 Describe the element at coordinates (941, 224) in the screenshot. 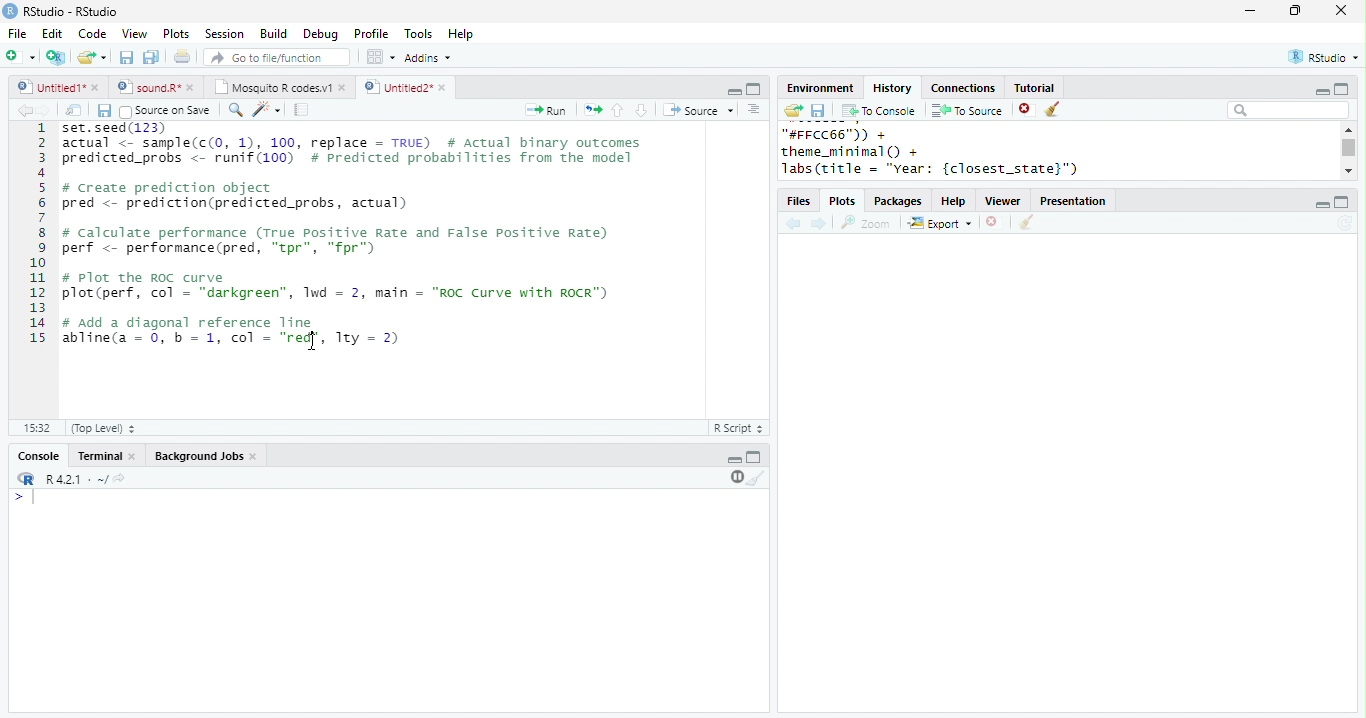

I see `Export` at that location.